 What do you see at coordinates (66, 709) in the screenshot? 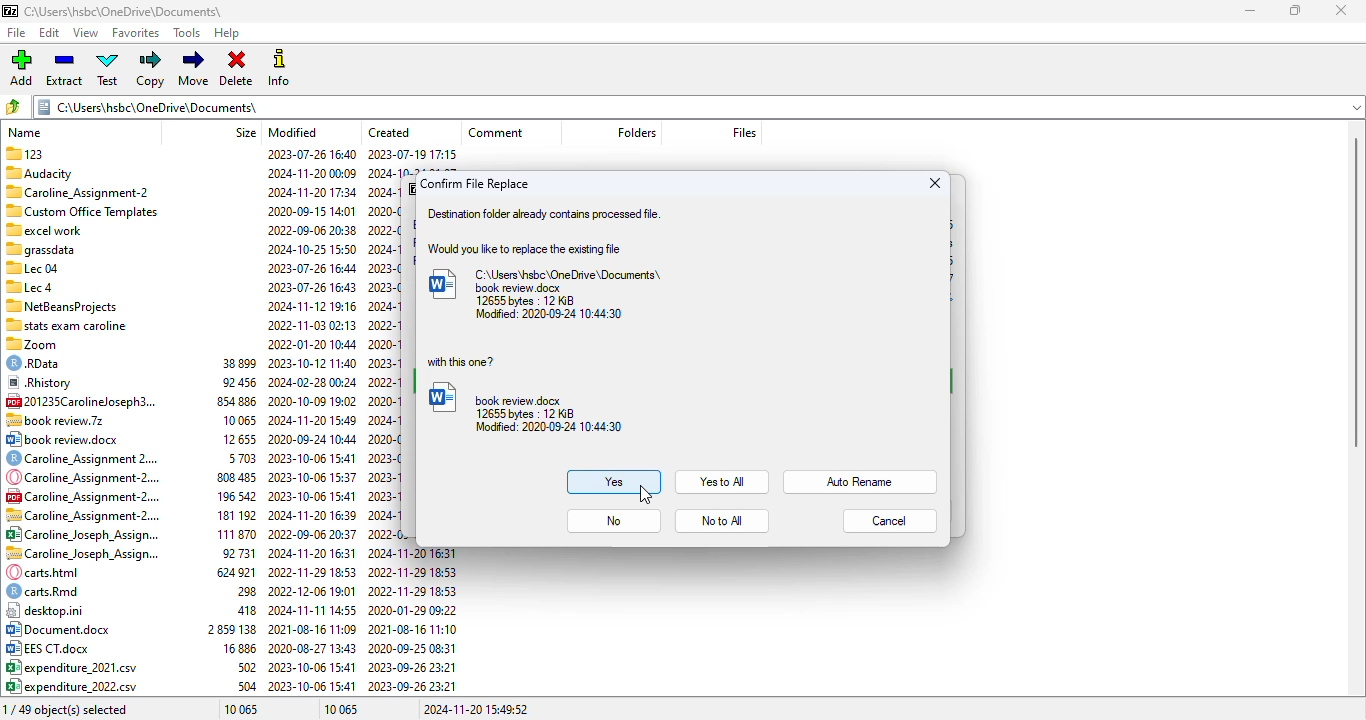
I see `0/49 object(s) selected` at bounding box center [66, 709].